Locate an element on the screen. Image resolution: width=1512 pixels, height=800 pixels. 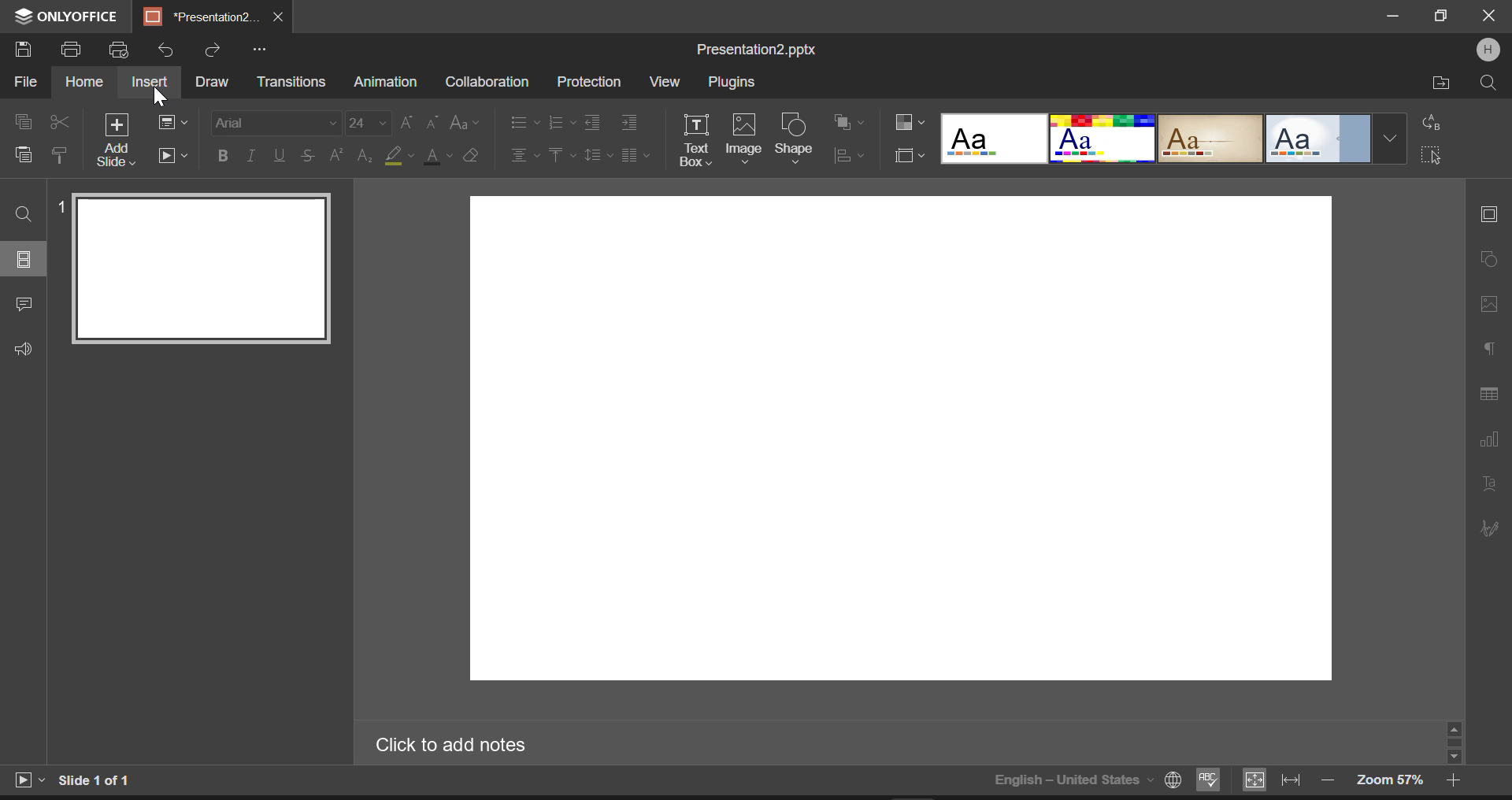
Slide 1 is located at coordinates (195, 268).